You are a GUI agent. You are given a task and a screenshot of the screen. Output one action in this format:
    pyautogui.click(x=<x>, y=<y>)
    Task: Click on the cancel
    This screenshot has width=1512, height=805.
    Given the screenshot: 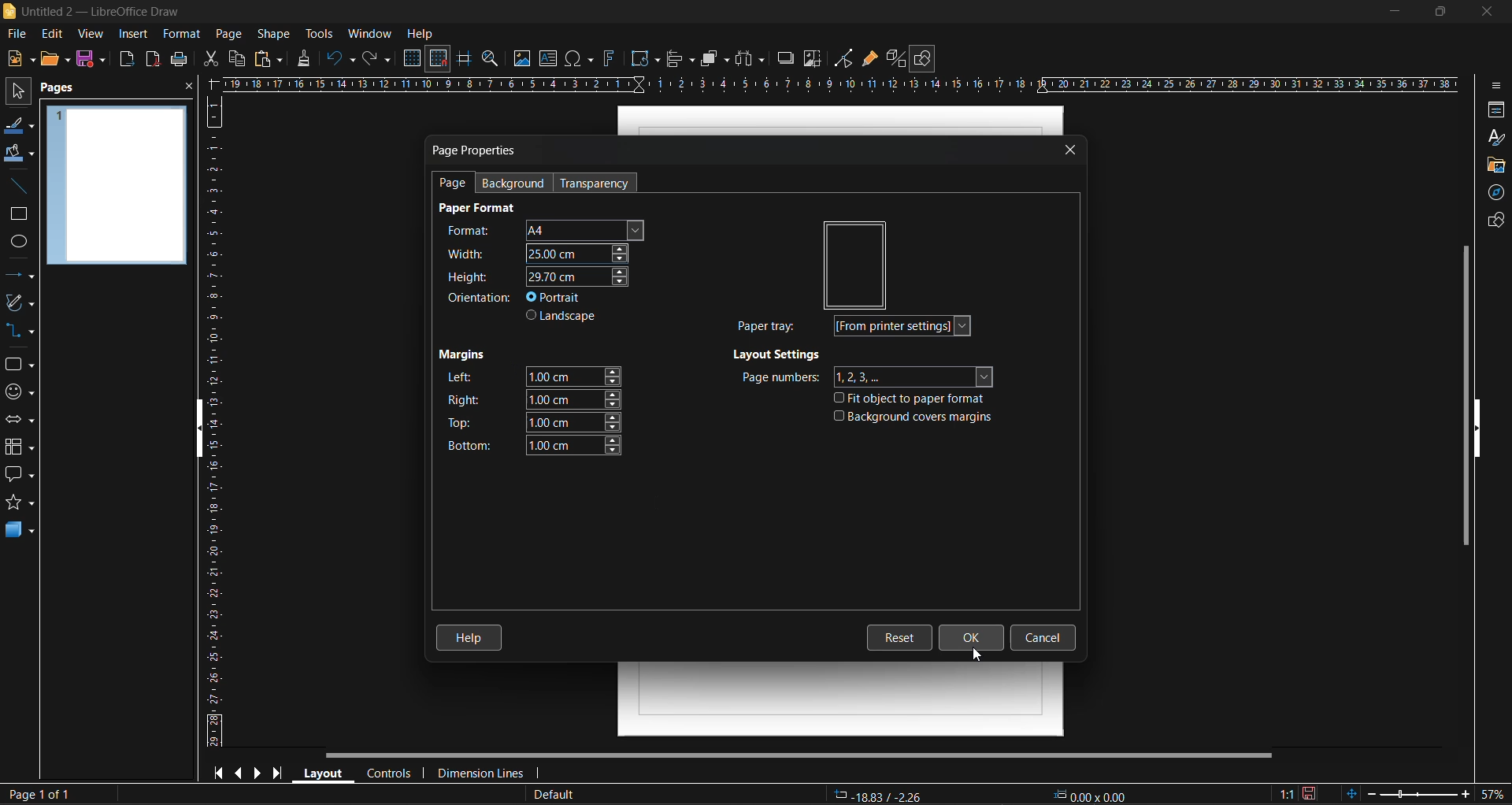 What is the action you would take?
    pyautogui.click(x=1044, y=638)
    